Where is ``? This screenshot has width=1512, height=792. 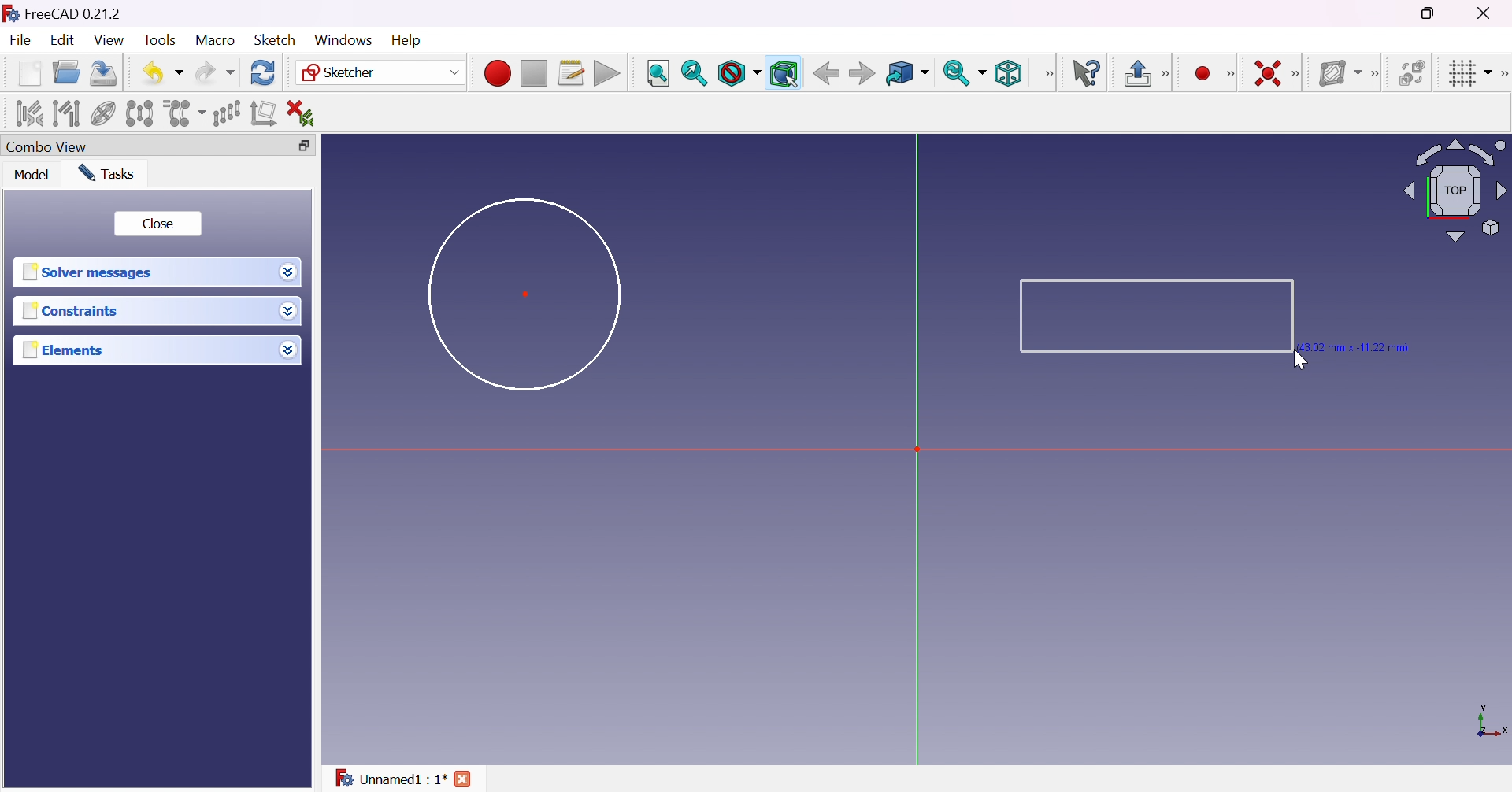  is located at coordinates (965, 74).